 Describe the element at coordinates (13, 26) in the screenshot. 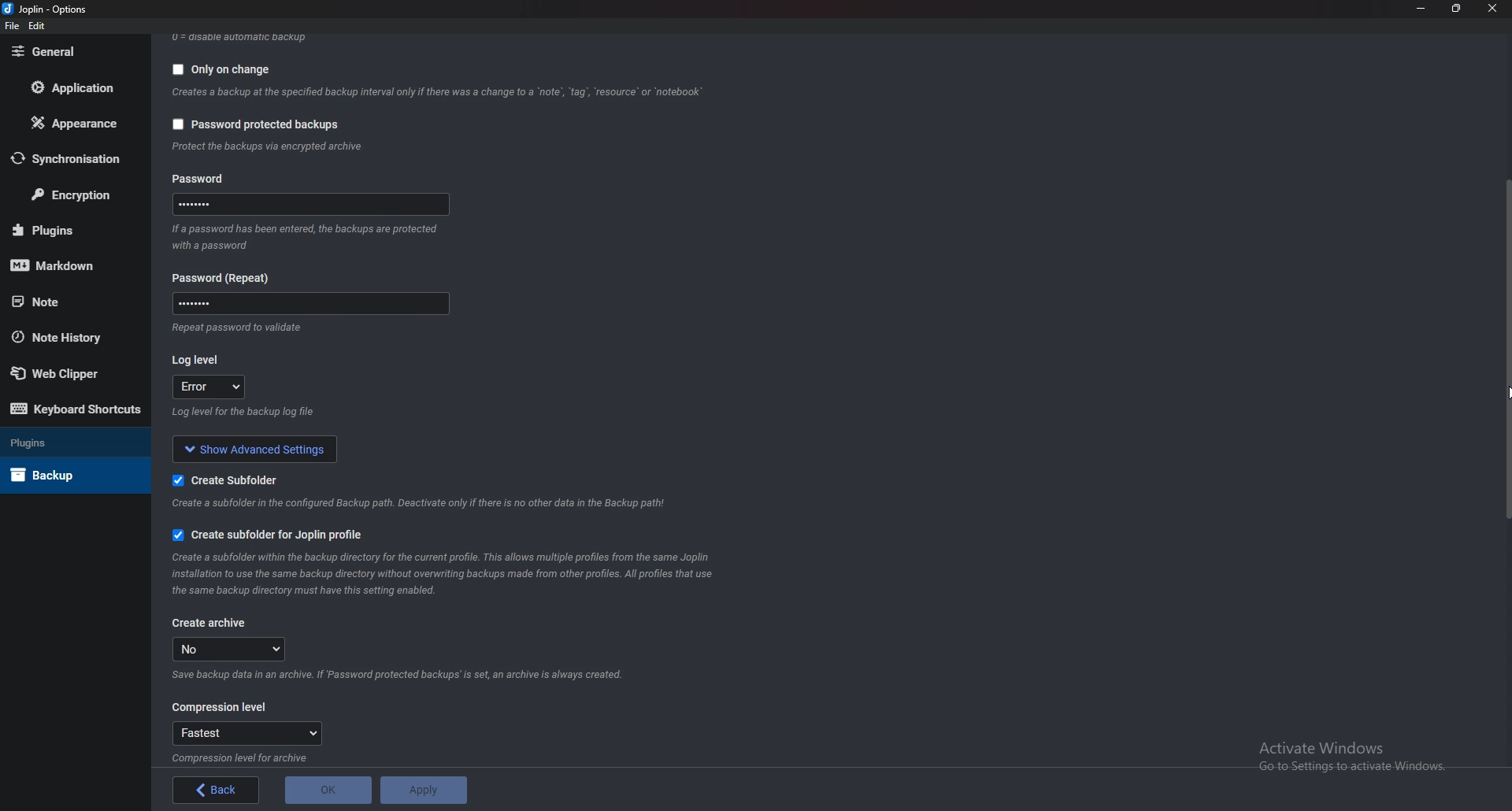

I see `file` at that location.